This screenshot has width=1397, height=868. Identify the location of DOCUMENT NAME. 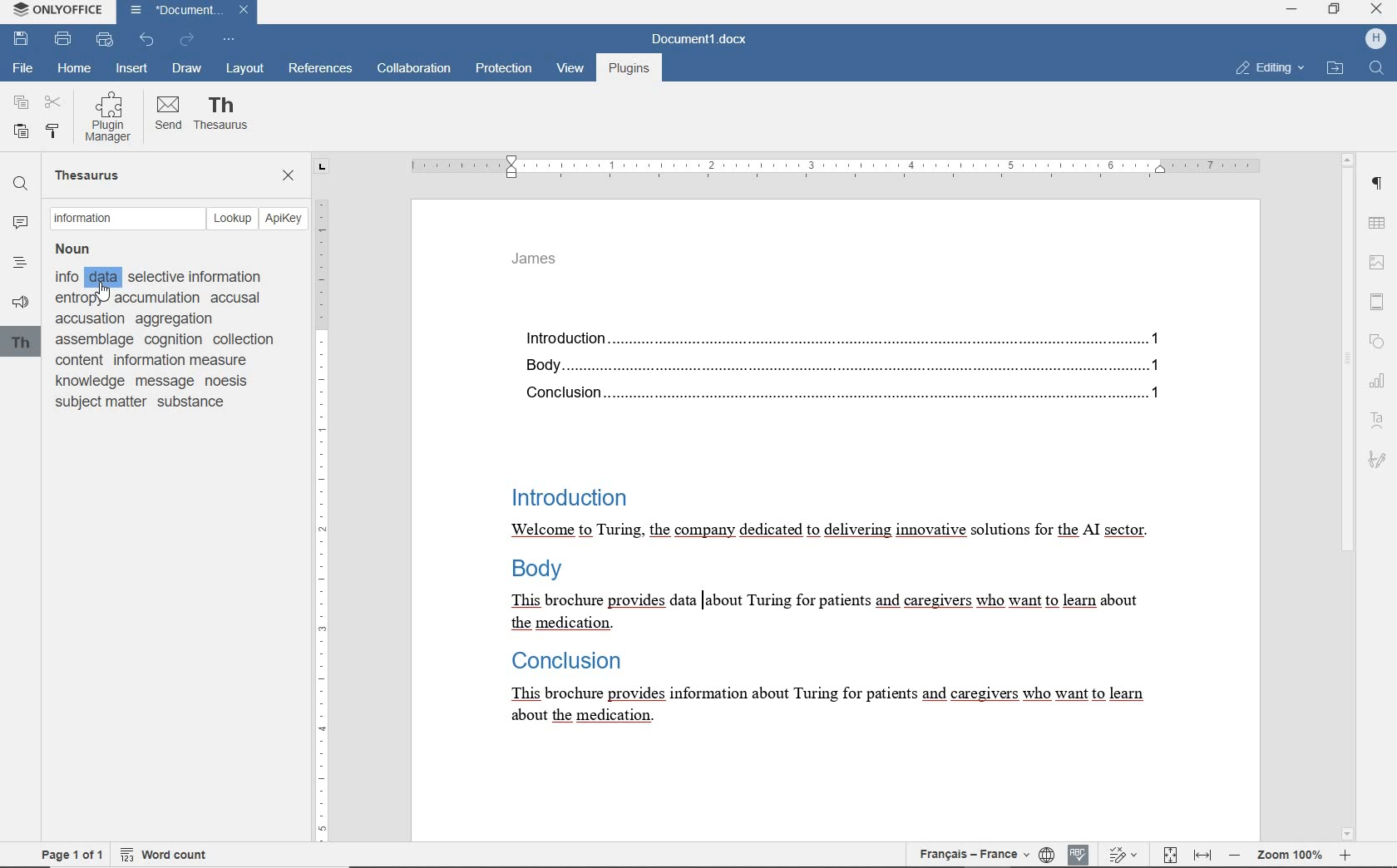
(706, 38).